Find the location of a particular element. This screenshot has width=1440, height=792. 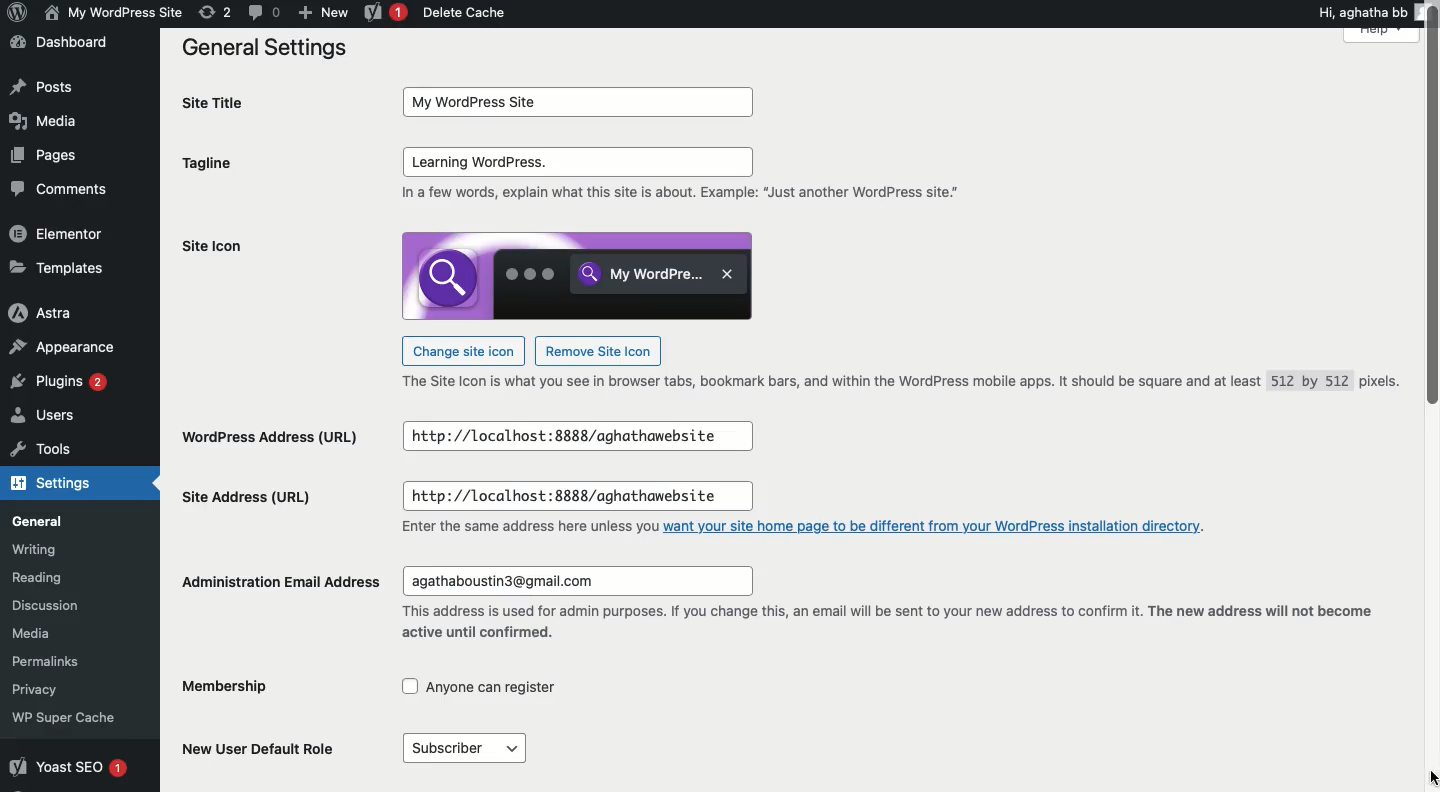

Tagline is located at coordinates (225, 166).